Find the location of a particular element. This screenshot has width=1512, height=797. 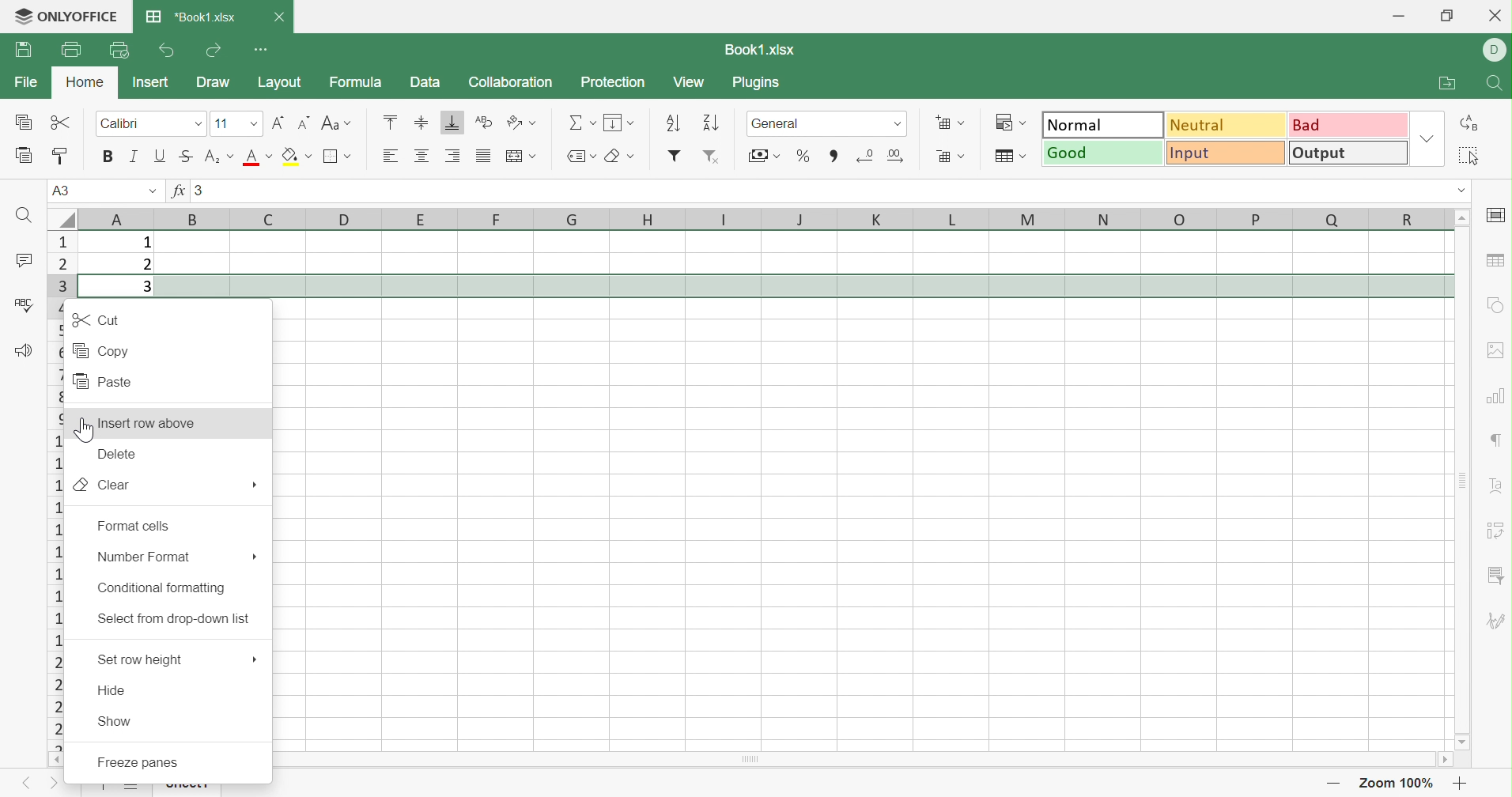

Scroll Up is located at coordinates (1462, 217).